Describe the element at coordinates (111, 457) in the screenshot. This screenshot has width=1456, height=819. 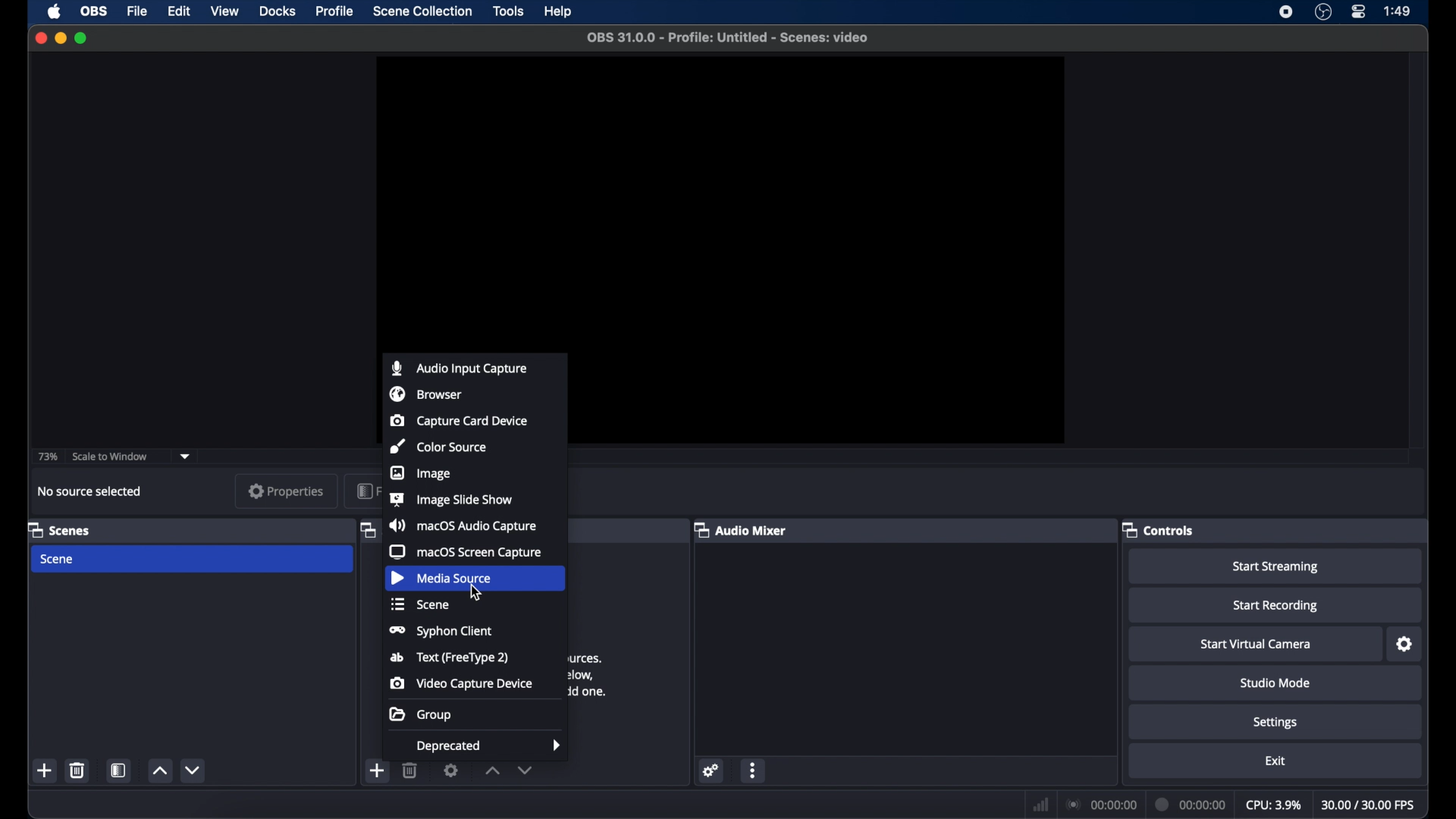
I see `scale to window` at that location.